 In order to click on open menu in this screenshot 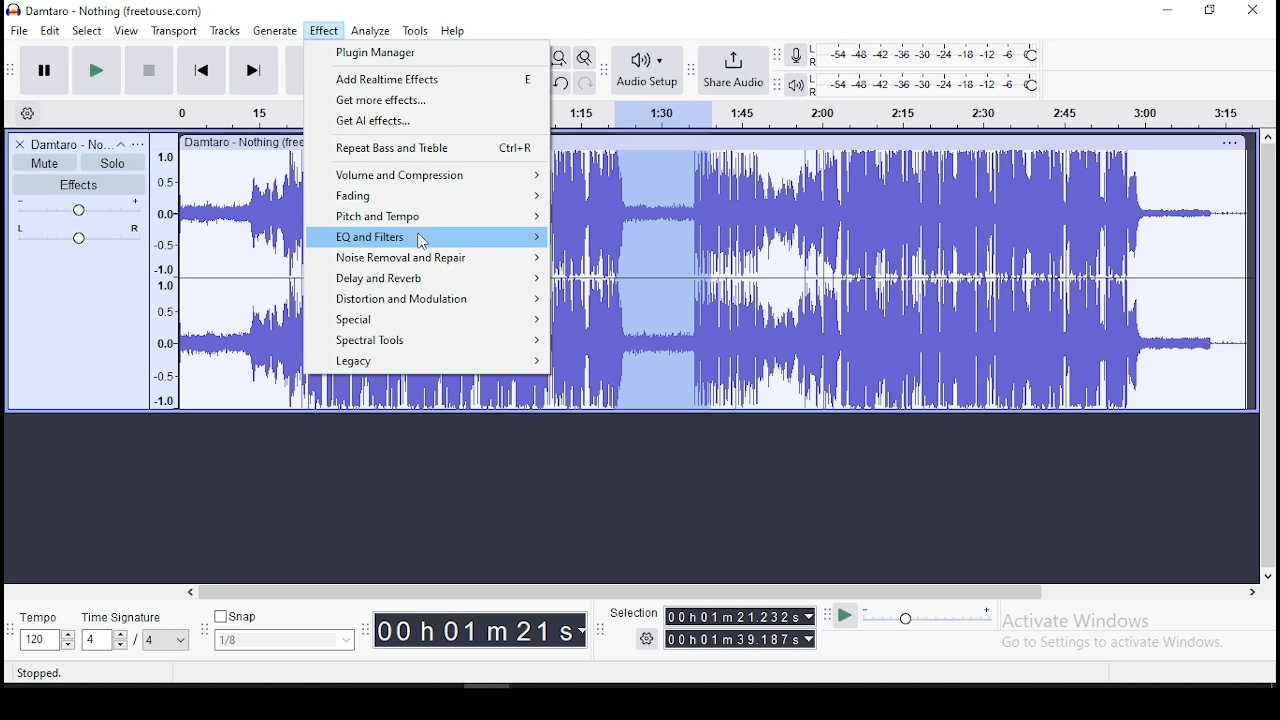, I will do `click(138, 144)`.